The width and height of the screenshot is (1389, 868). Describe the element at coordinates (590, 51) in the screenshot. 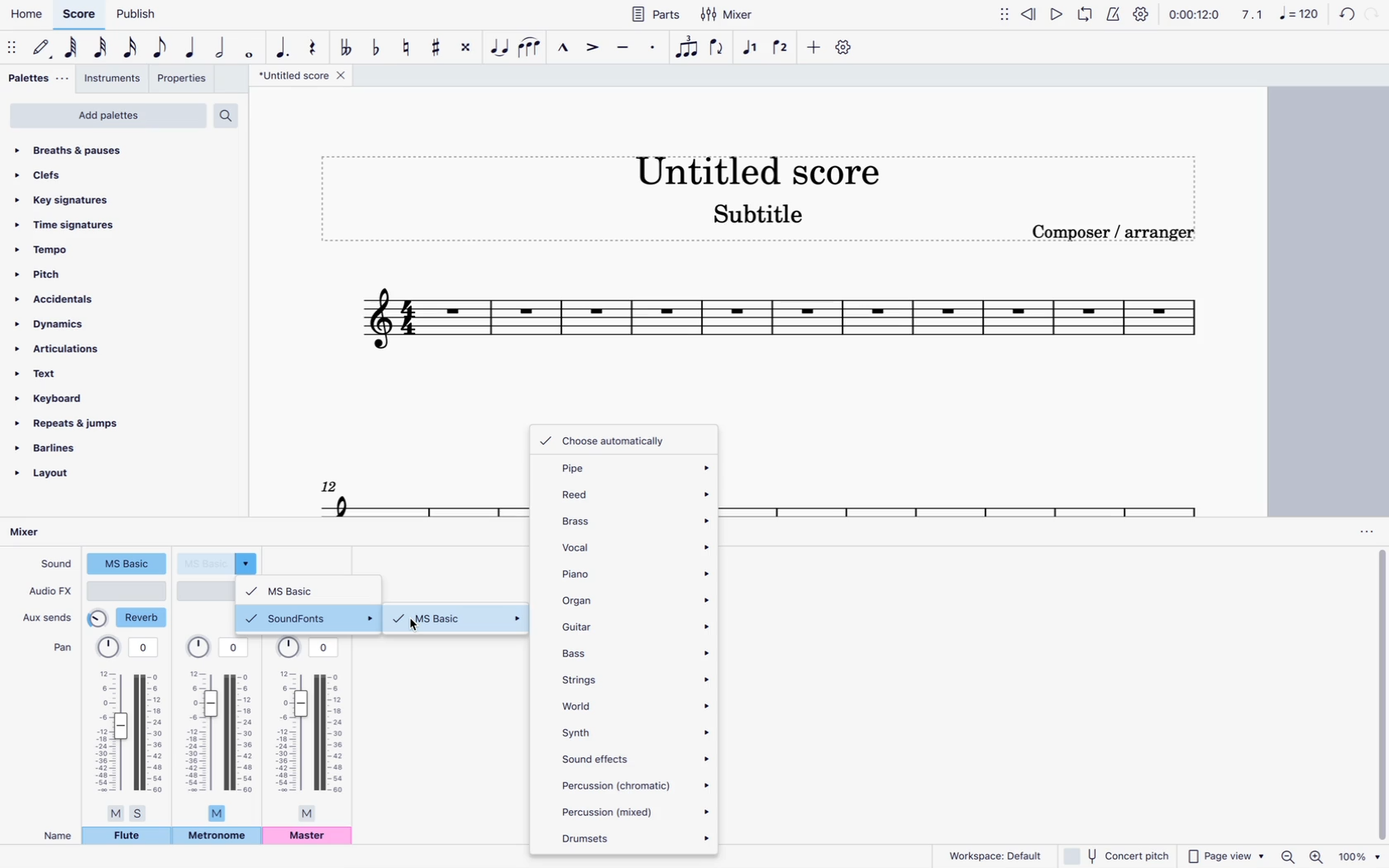

I see `accent` at that location.